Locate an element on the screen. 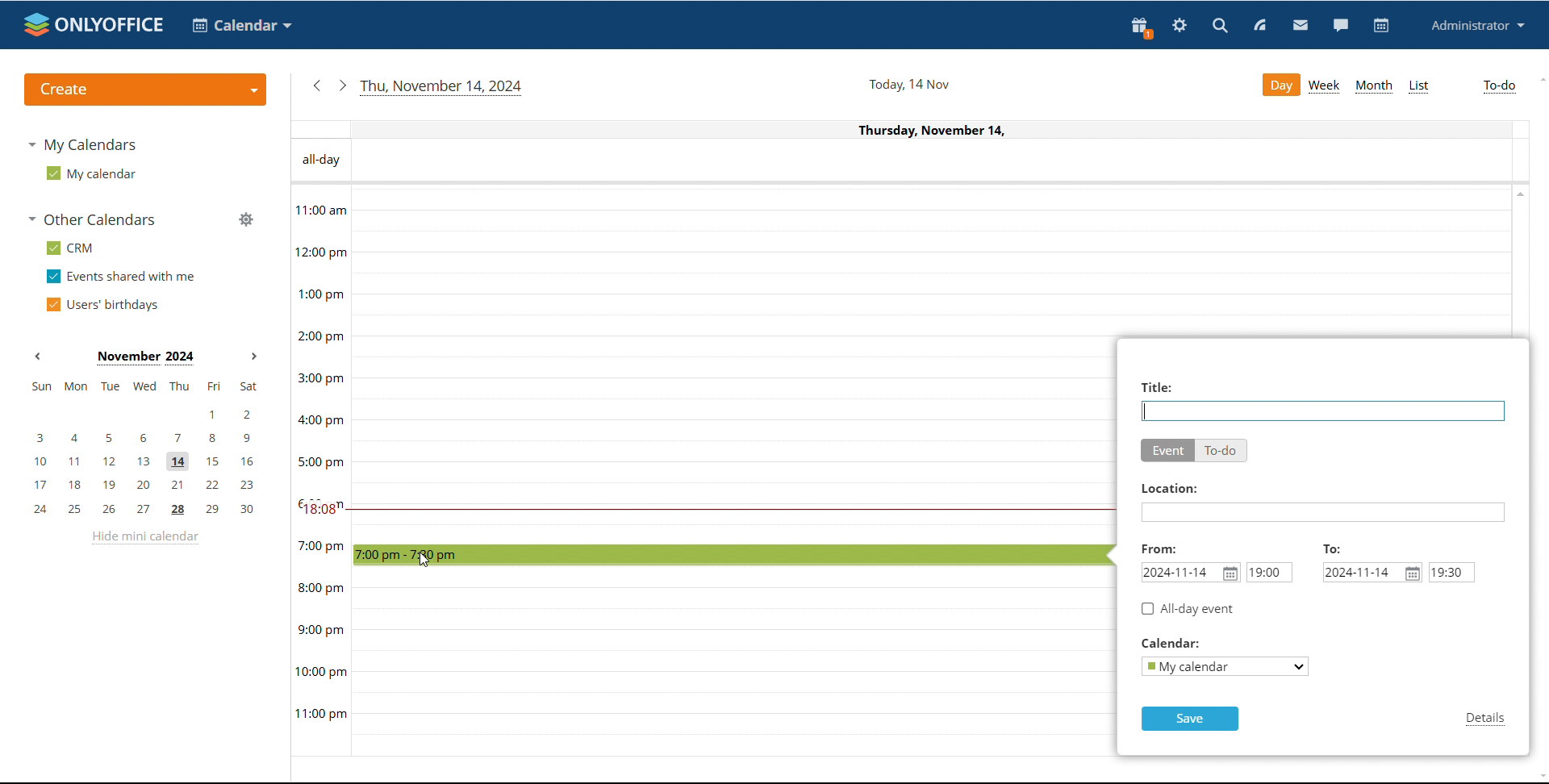  start time is located at coordinates (1271, 573).